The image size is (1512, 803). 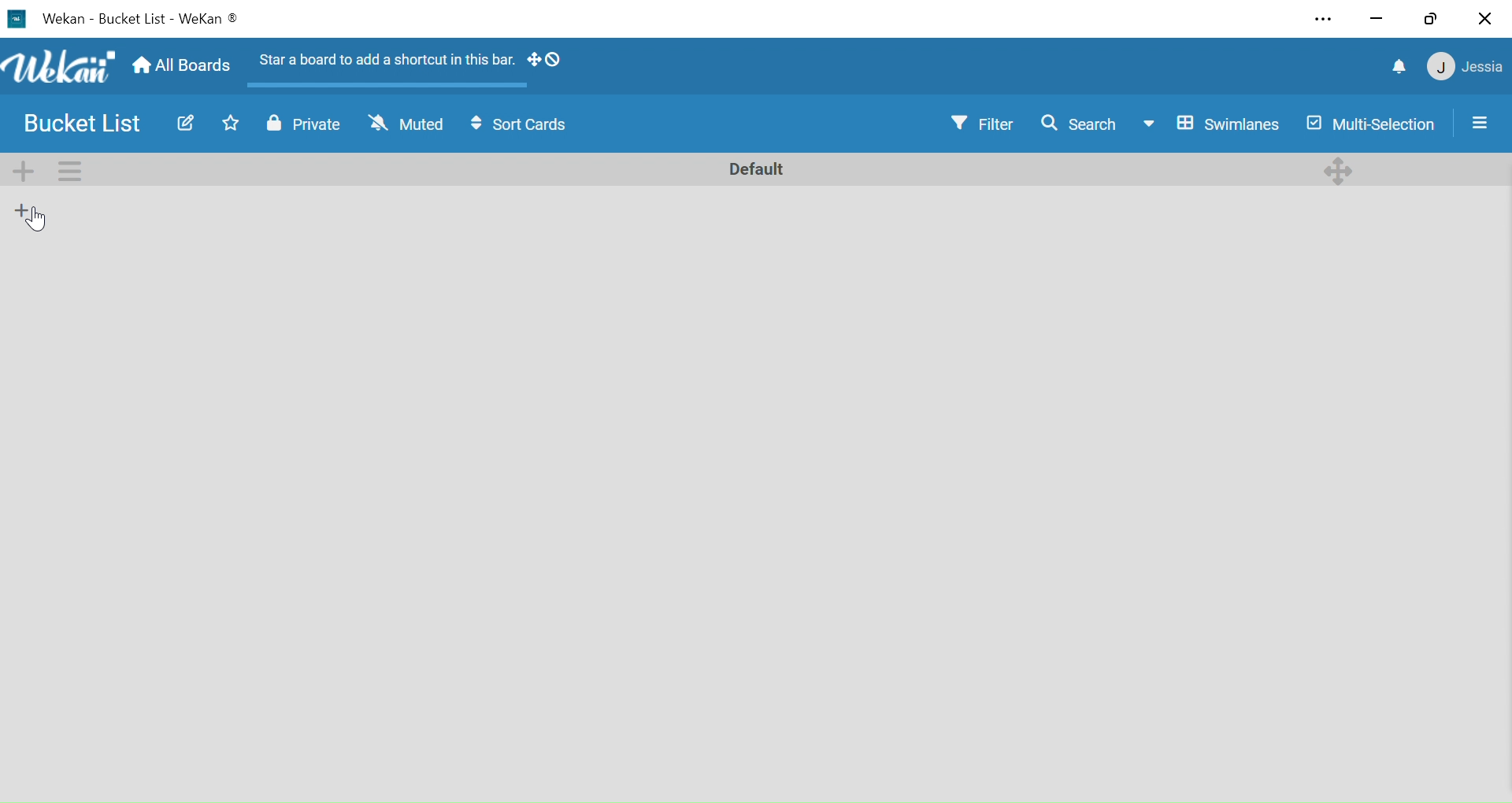 What do you see at coordinates (58, 67) in the screenshot?
I see `Wekan` at bounding box center [58, 67].